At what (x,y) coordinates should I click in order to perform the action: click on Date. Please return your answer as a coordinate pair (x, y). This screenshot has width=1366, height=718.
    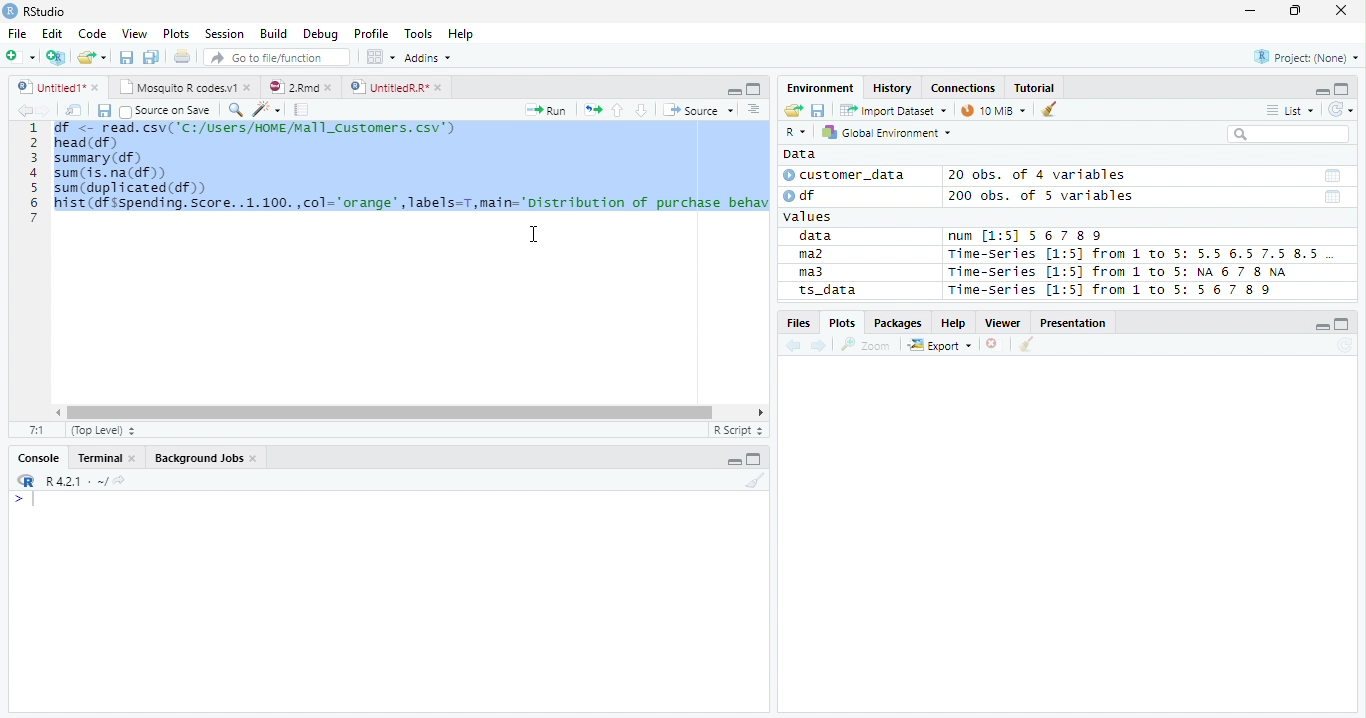
    Looking at the image, I should click on (1331, 176).